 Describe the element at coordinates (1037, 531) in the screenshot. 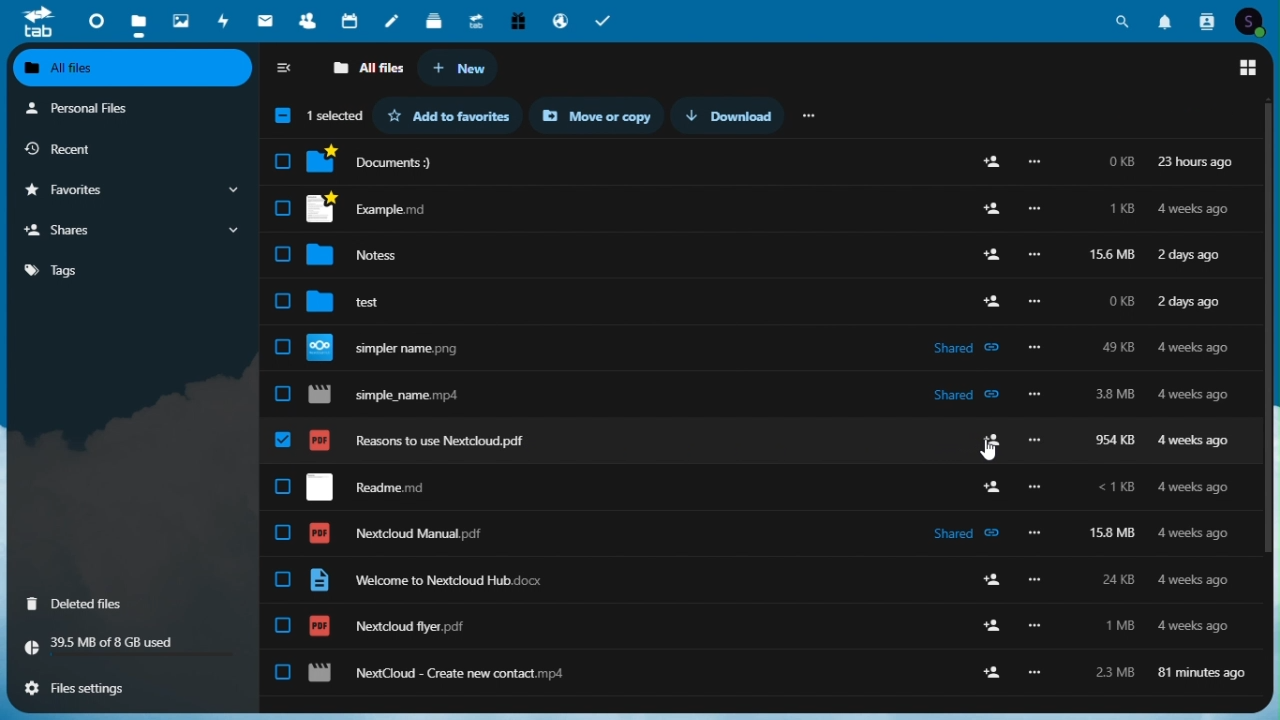

I see `more options` at that location.